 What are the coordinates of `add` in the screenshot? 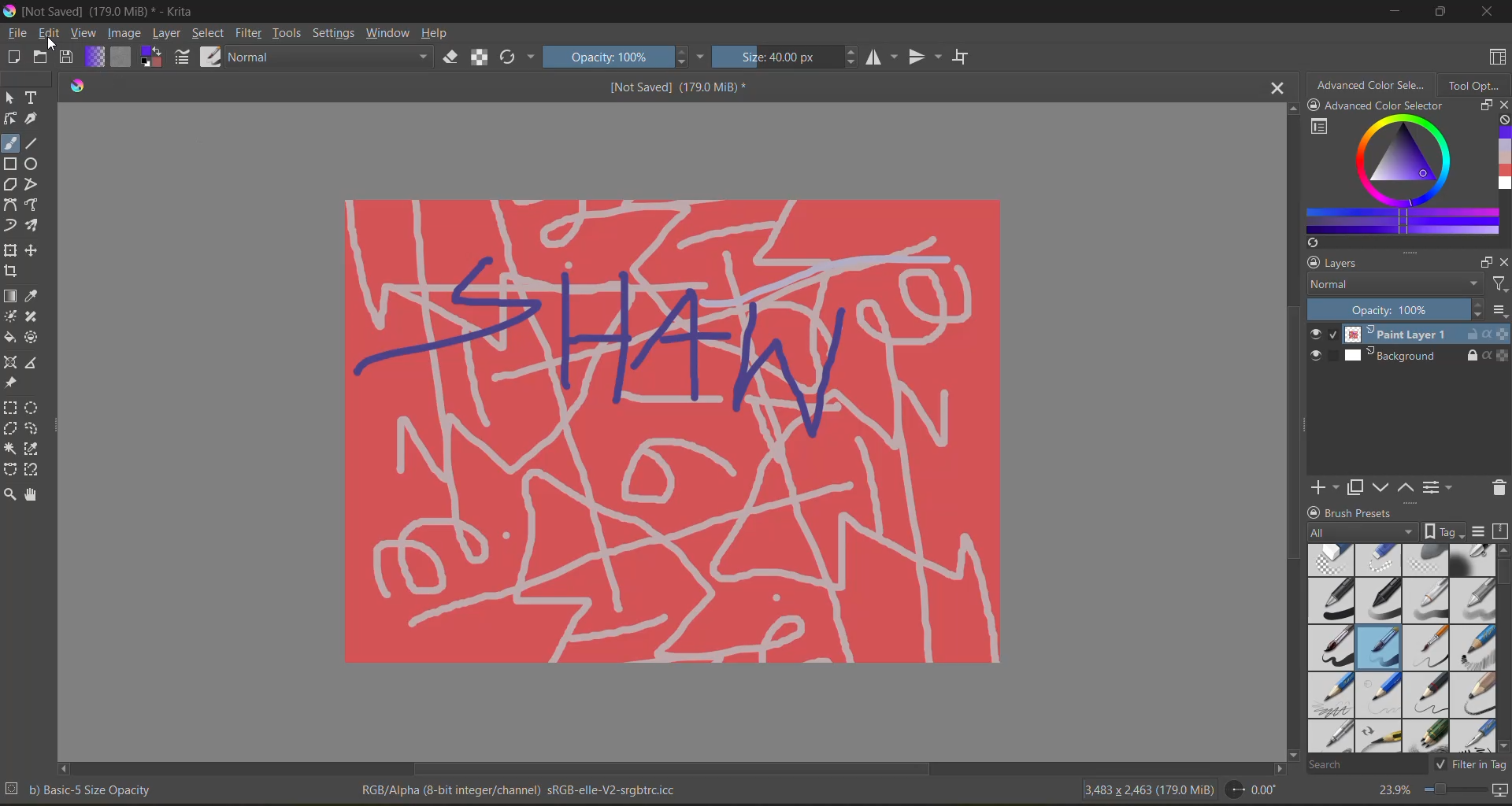 It's located at (1325, 488).